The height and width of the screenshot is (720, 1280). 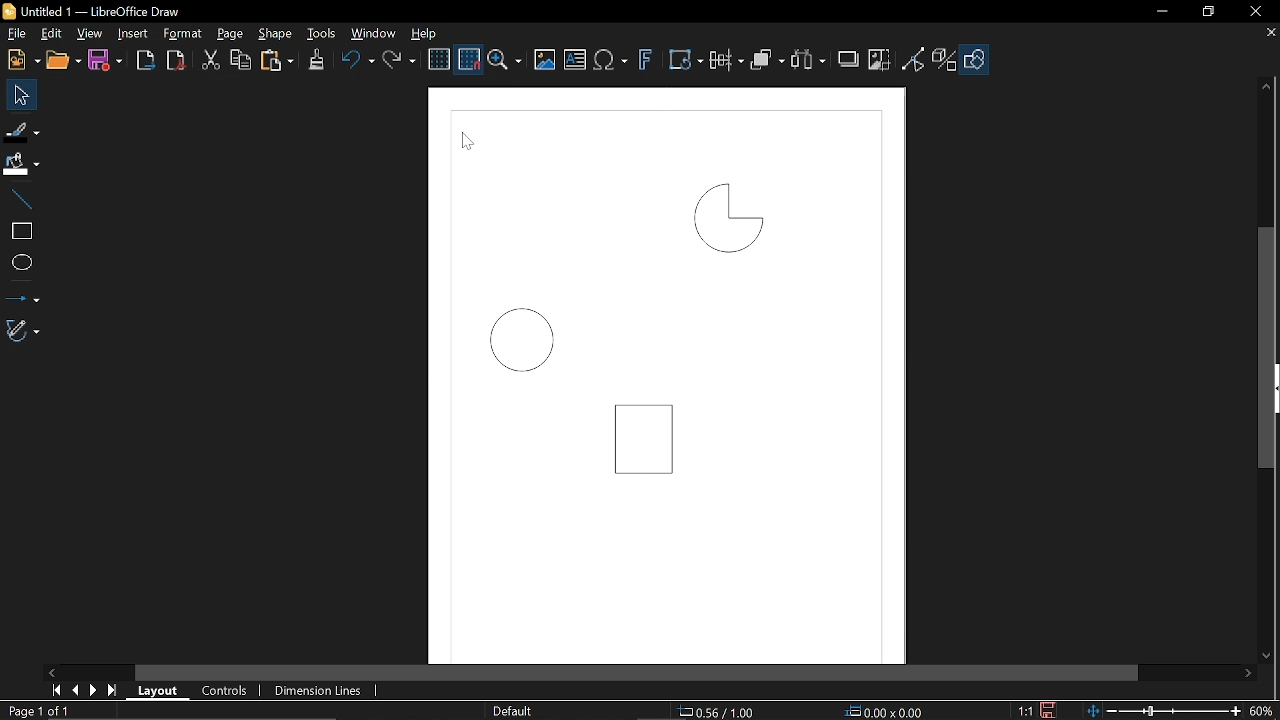 What do you see at coordinates (1287, 34) in the screenshot?
I see `Close tab` at bounding box center [1287, 34].